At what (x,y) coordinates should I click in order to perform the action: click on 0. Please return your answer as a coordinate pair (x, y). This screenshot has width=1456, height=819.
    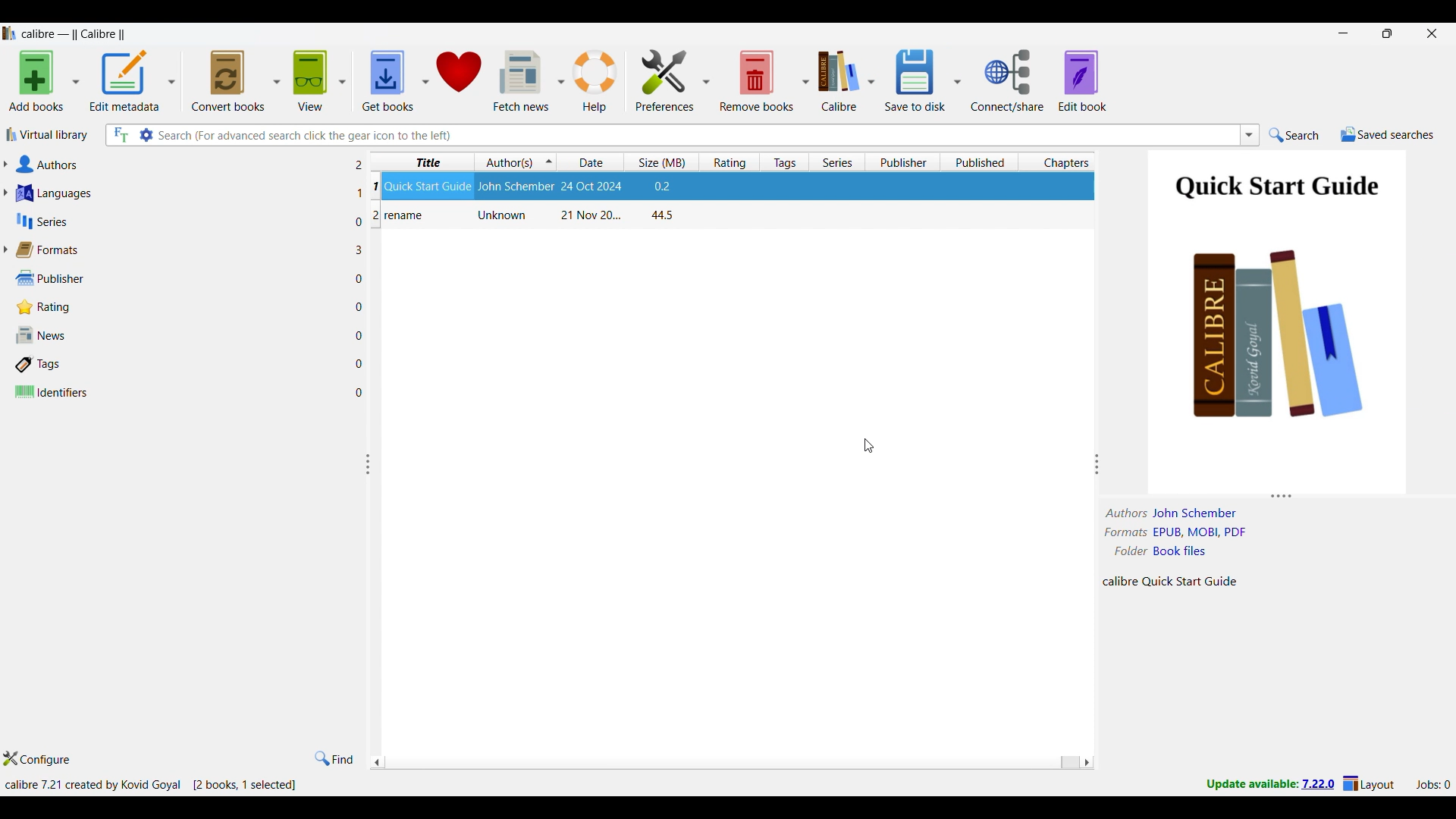
    Looking at the image, I should click on (364, 309).